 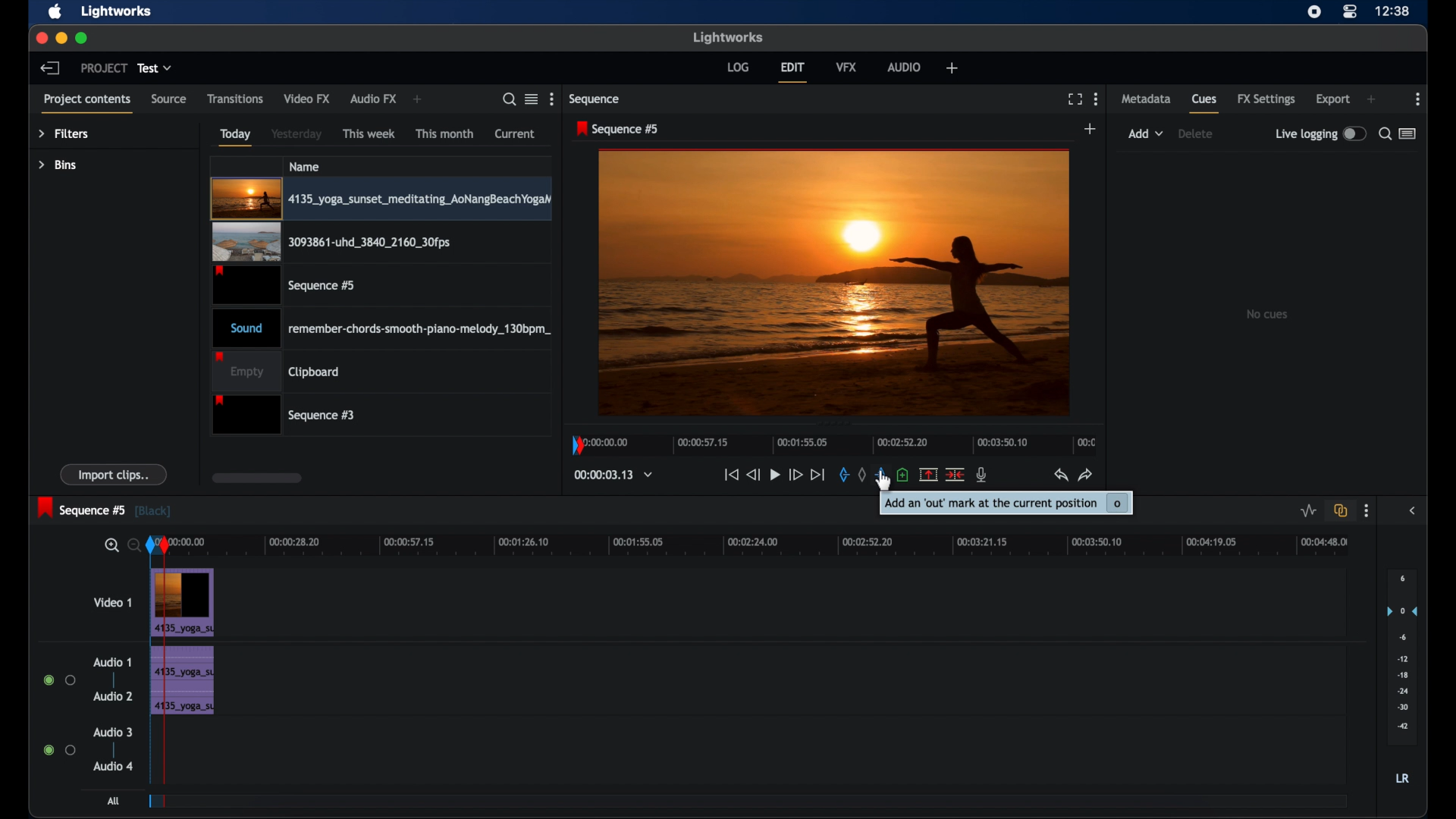 I want to click on minimize, so click(x=62, y=38).